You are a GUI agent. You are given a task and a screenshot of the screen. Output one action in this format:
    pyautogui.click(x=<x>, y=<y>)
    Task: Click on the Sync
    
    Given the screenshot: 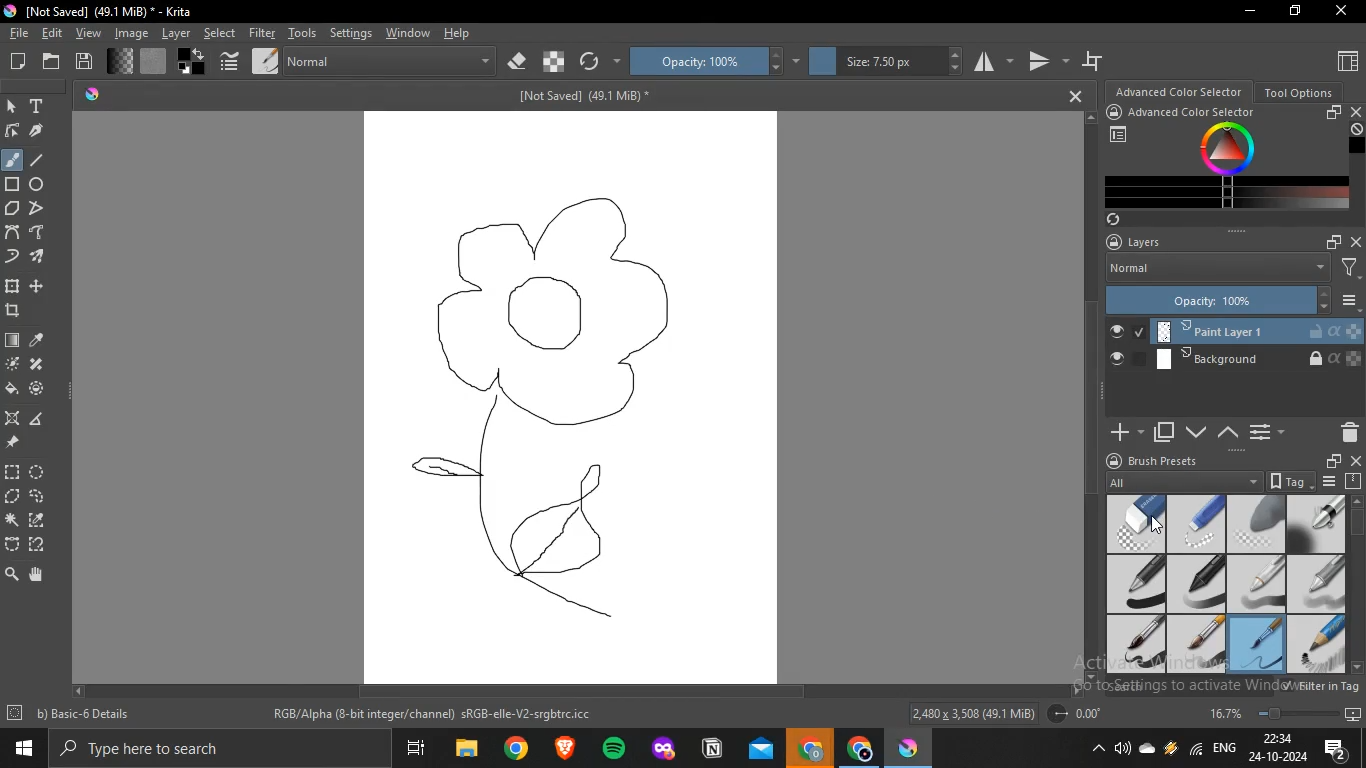 What is the action you would take?
    pyautogui.click(x=1117, y=219)
    